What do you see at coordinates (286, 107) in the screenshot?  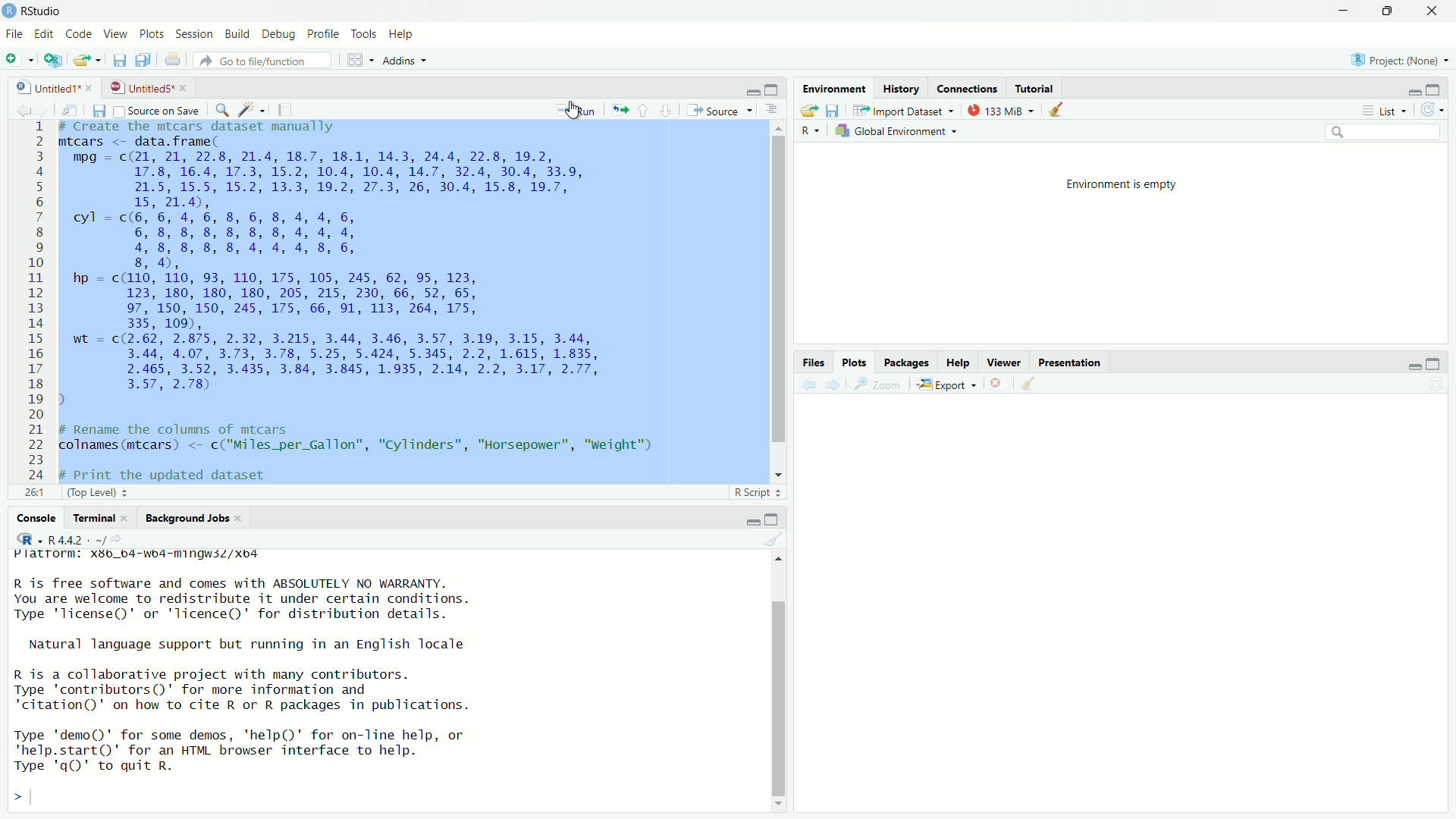 I see `notes` at bounding box center [286, 107].